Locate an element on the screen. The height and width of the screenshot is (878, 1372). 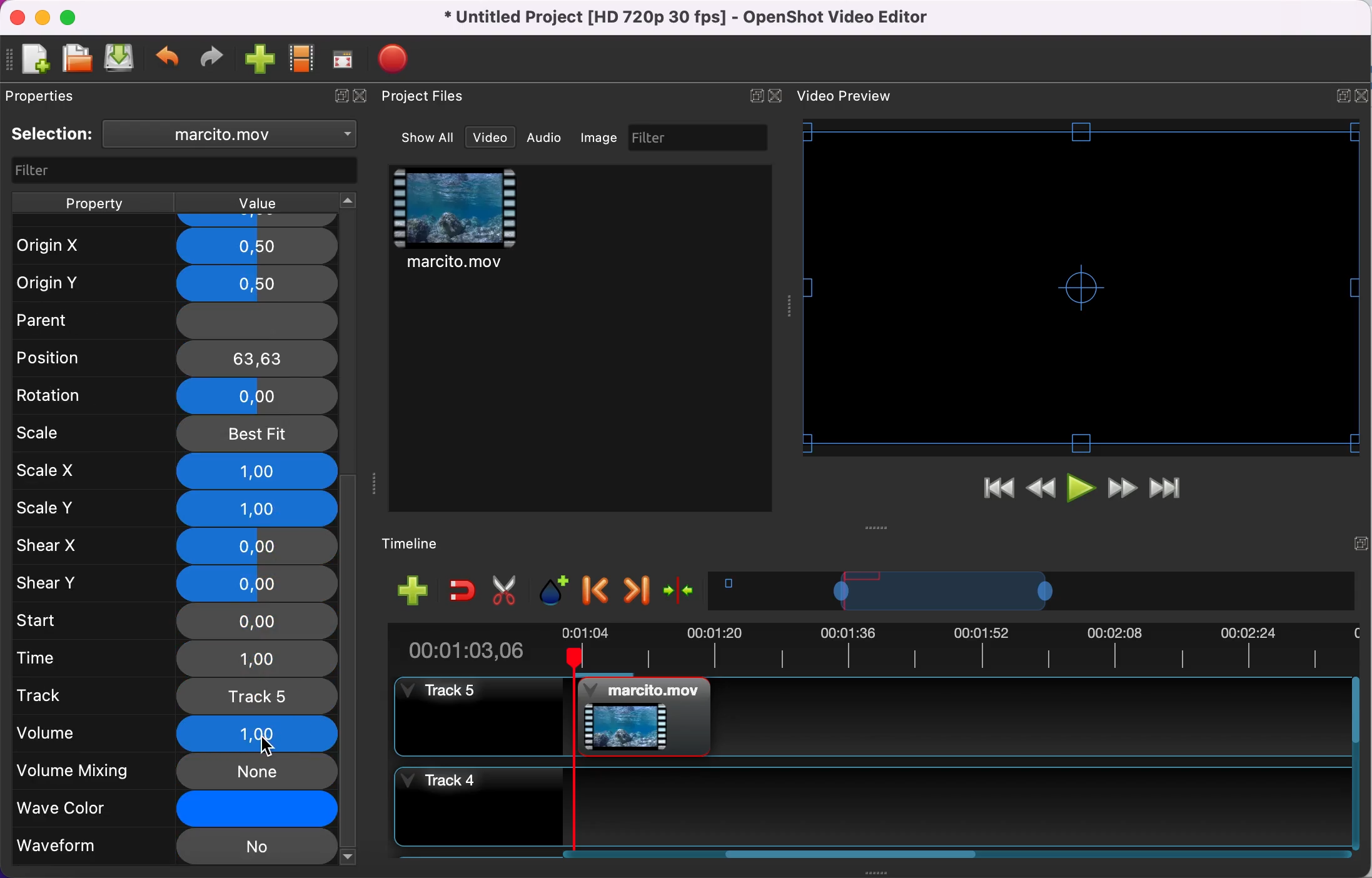
timeline is located at coordinates (420, 545).